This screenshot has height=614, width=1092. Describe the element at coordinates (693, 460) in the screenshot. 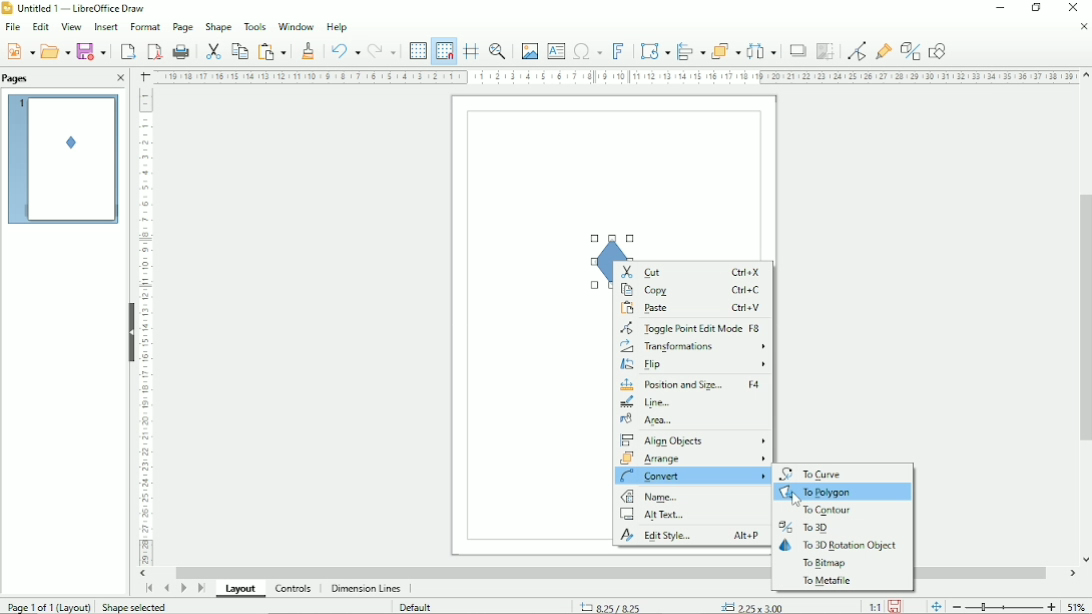

I see `Arrange` at that location.